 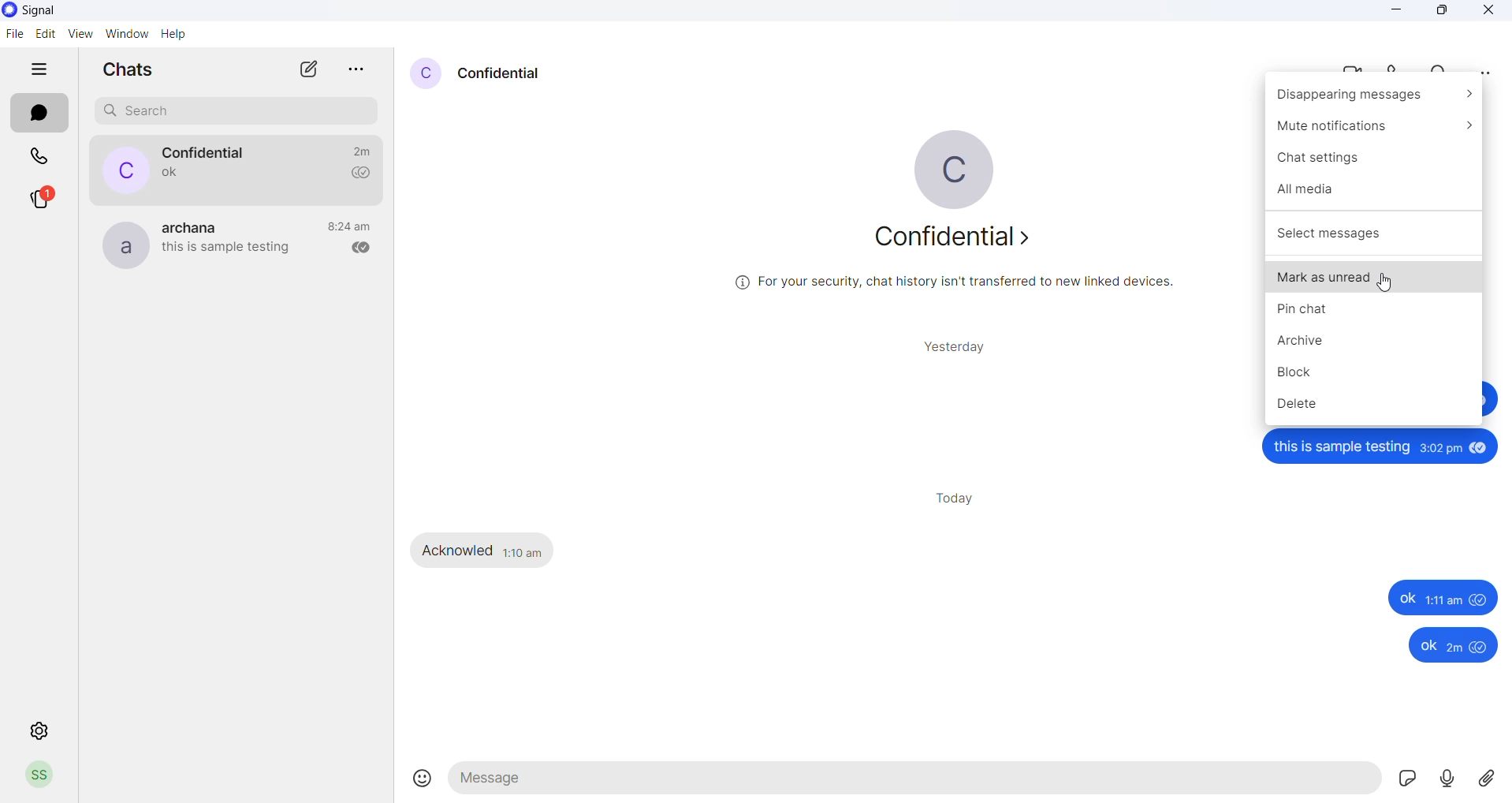 What do you see at coordinates (226, 251) in the screenshot?
I see `last message` at bounding box center [226, 251].